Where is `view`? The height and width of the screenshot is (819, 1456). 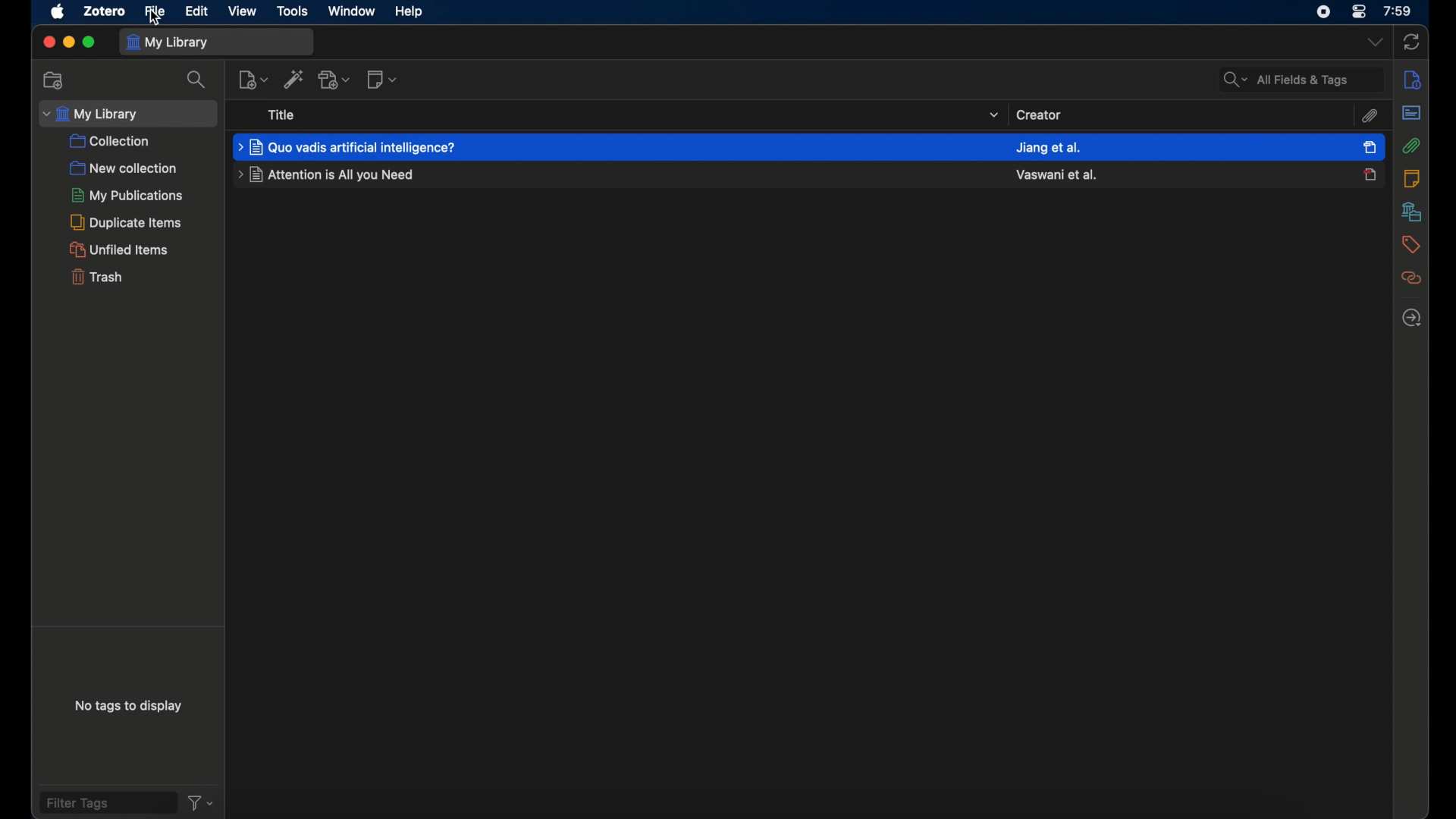 view is located at coordinates (243, 11).